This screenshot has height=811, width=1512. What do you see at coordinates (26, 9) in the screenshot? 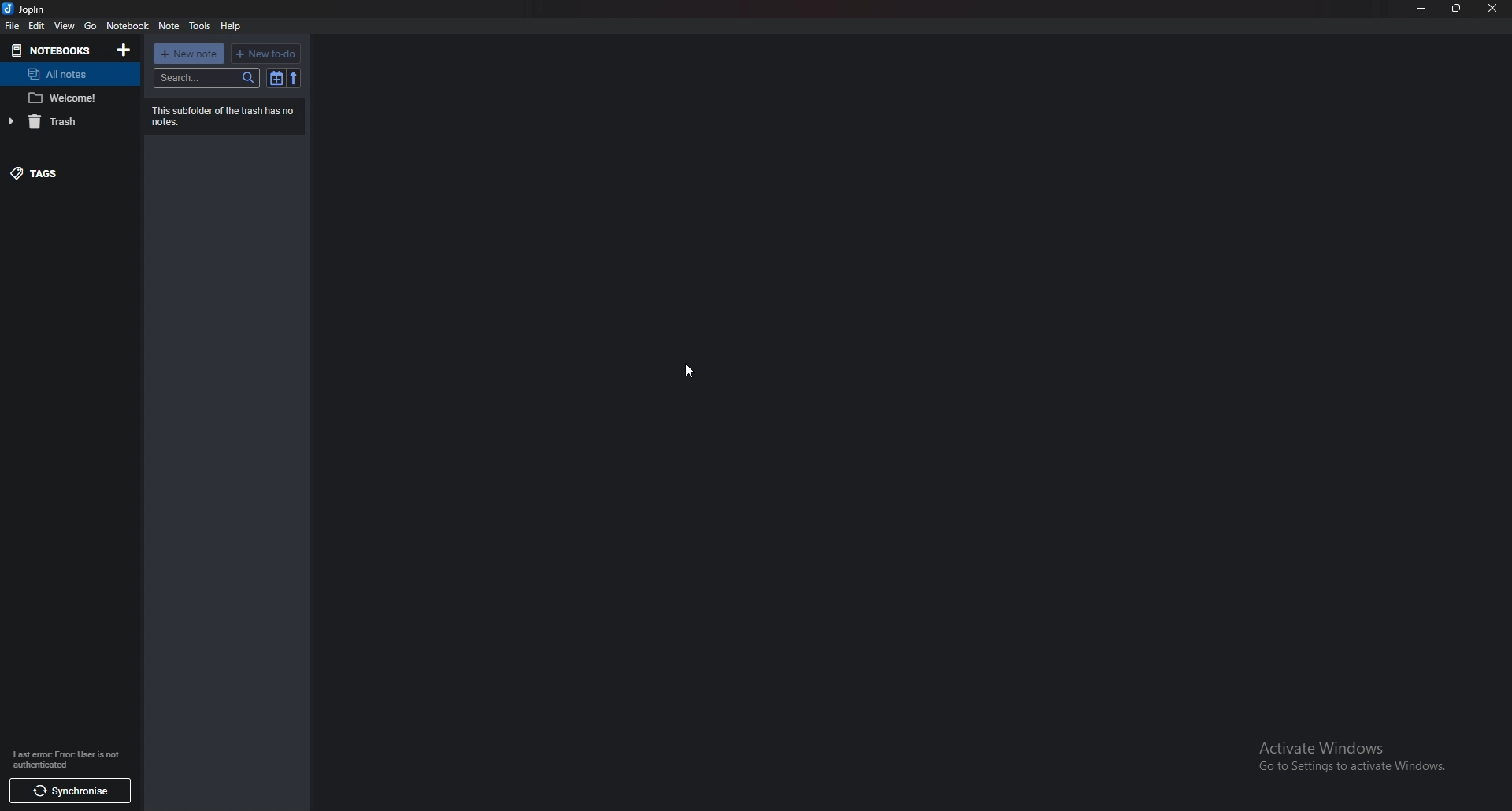
I see `joplin` at bounding box center [26, 9].